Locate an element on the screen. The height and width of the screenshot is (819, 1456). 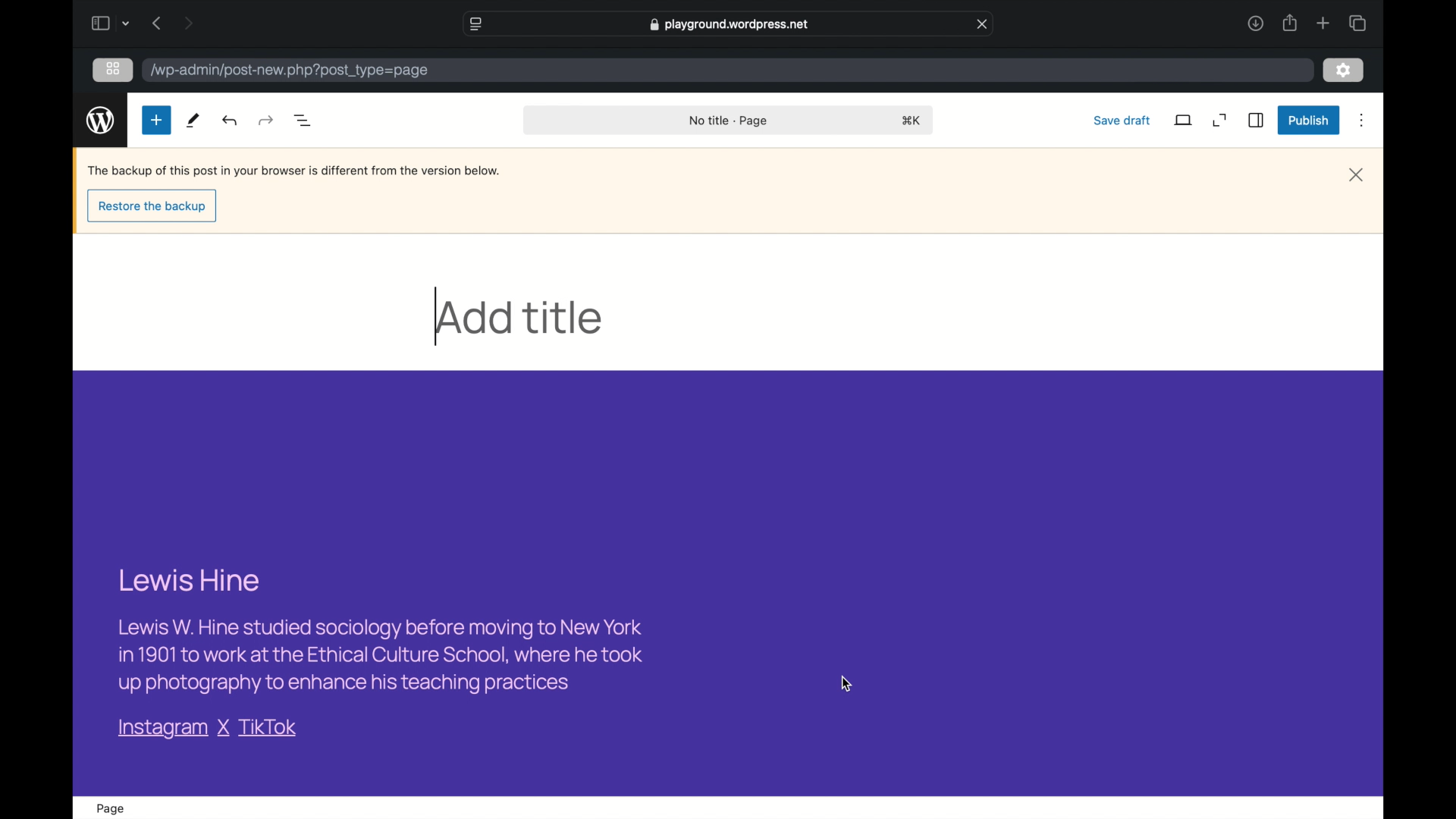
tools is located at coordinates (193, 120).